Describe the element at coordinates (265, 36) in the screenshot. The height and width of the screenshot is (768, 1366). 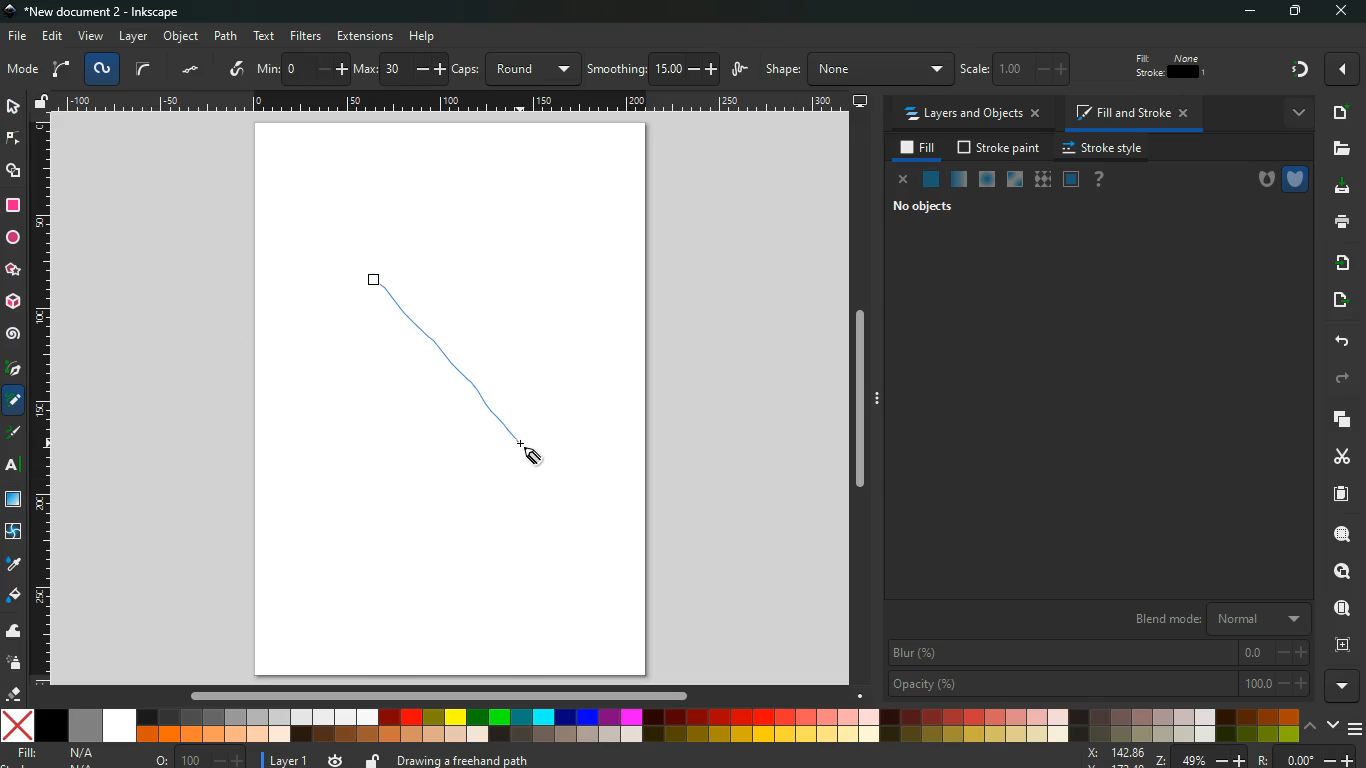
I see `text` at that location.